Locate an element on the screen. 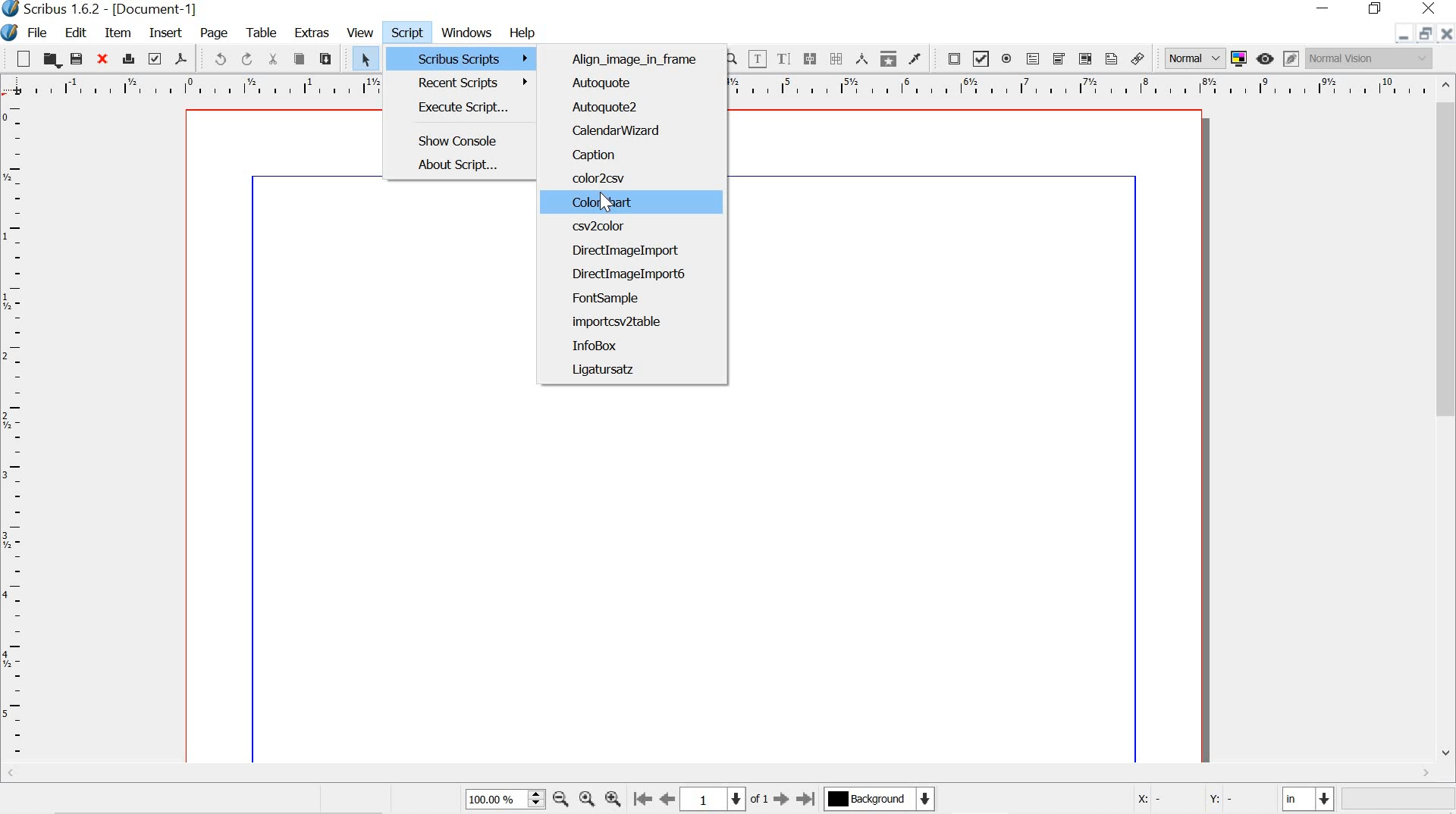 The width and height of the screenshot is (1456, 814). pdf list box is located at coordinates (1083, 59).